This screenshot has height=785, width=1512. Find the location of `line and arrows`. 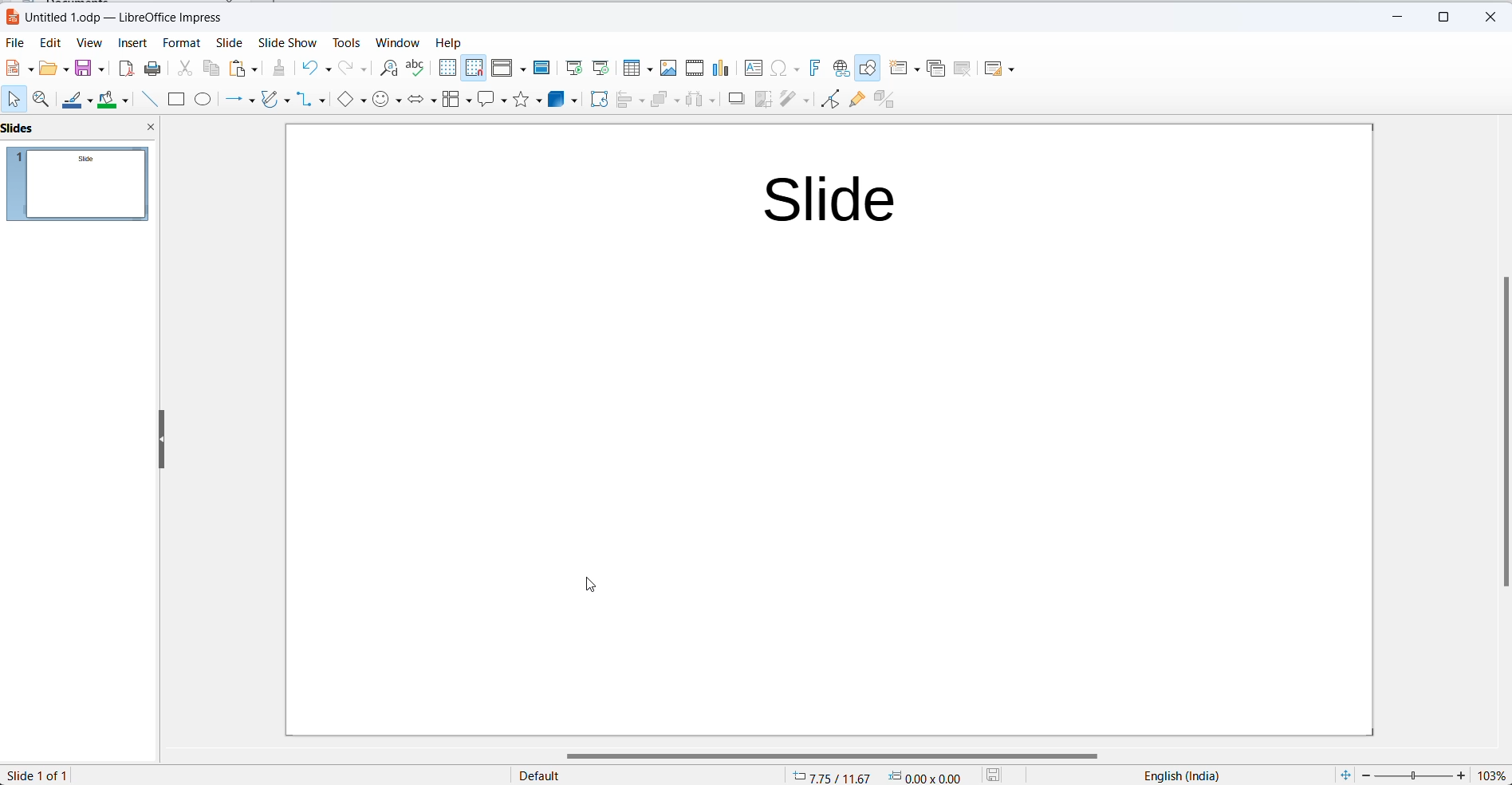

line and arrows is located at coordinates (239, 100).